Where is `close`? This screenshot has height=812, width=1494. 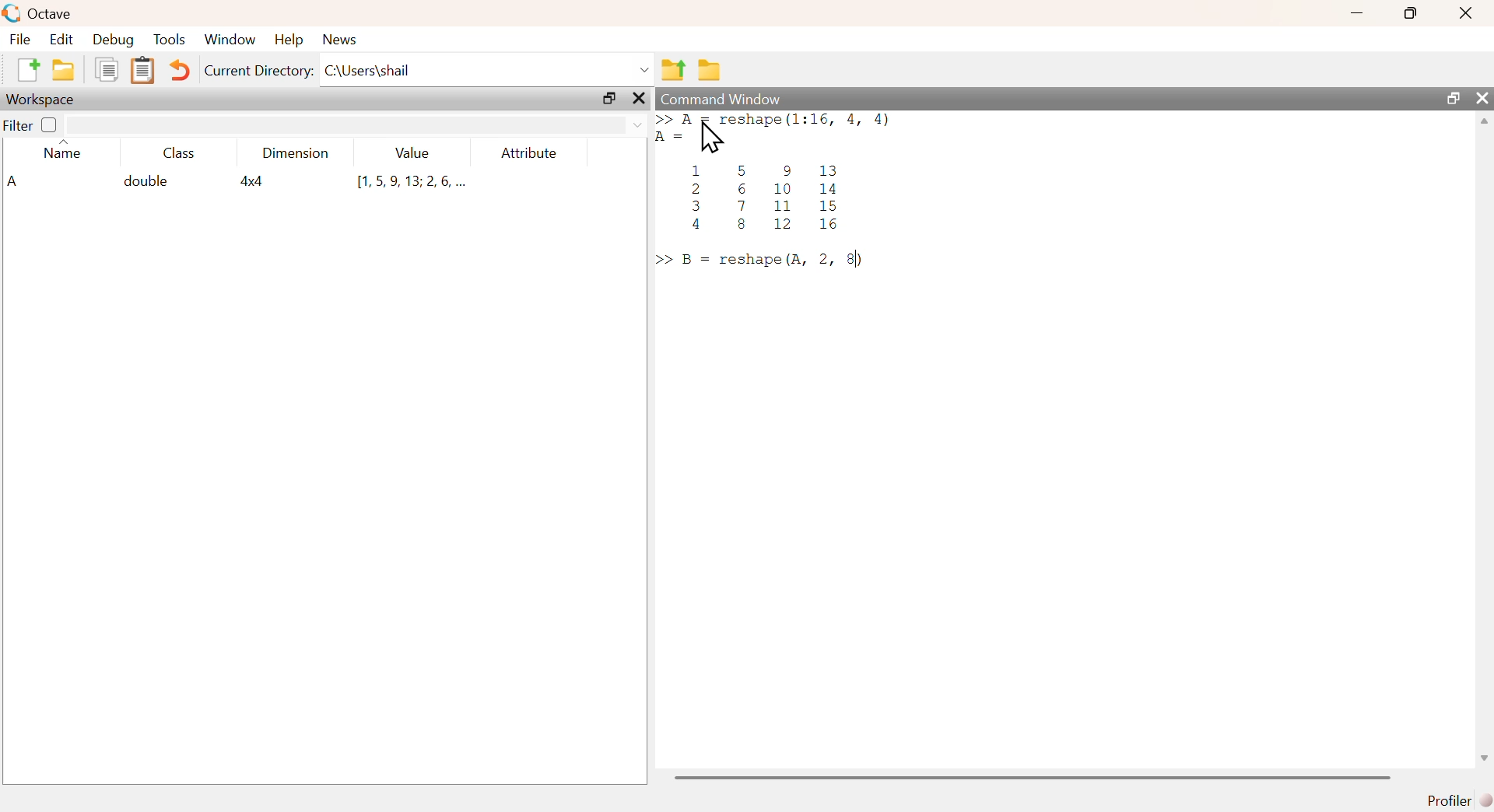 close is located at coordinates (641, 99).